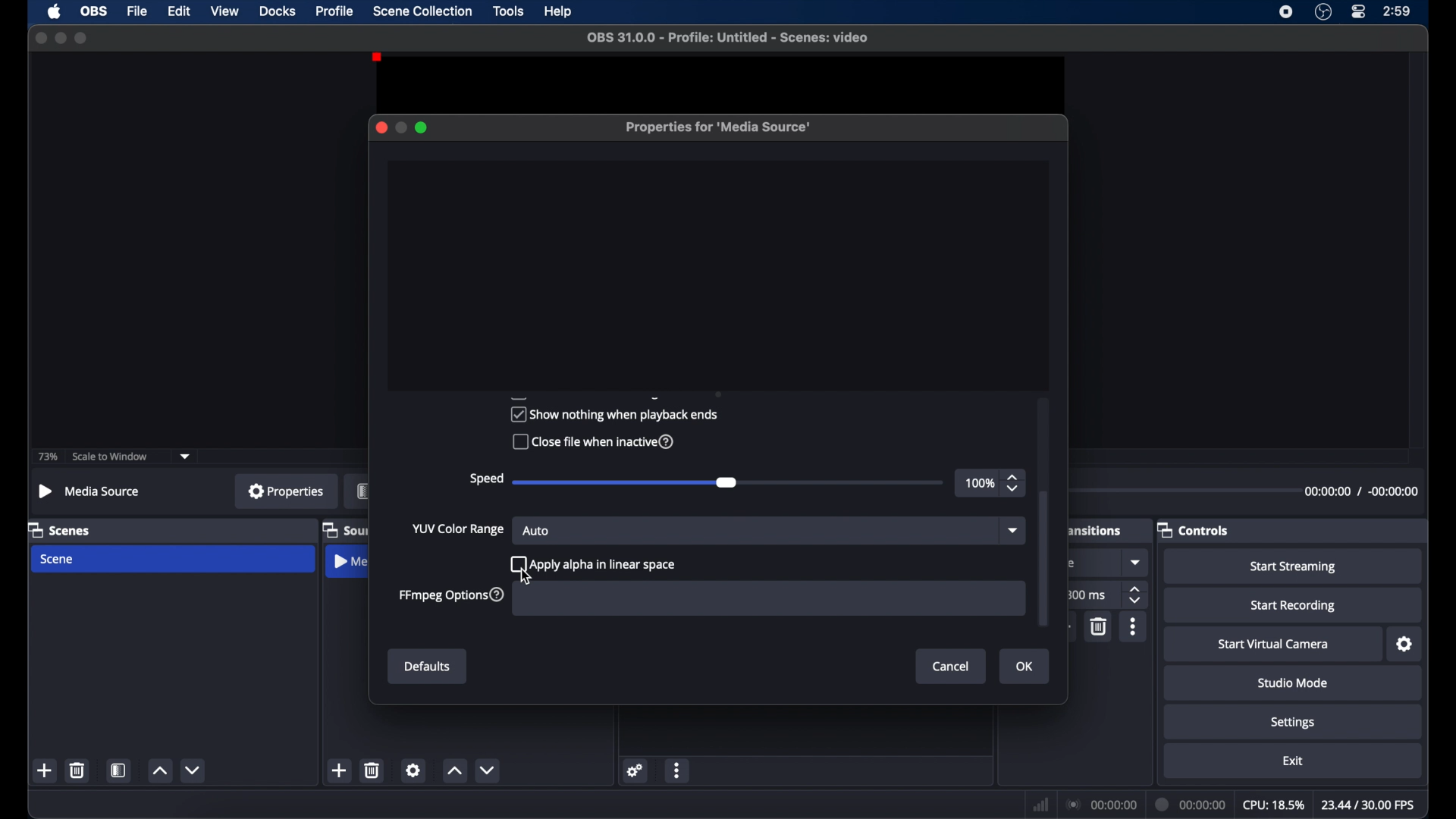 This screenshot has width=1456, height=819. I want to click on properties, so click(286, 491).